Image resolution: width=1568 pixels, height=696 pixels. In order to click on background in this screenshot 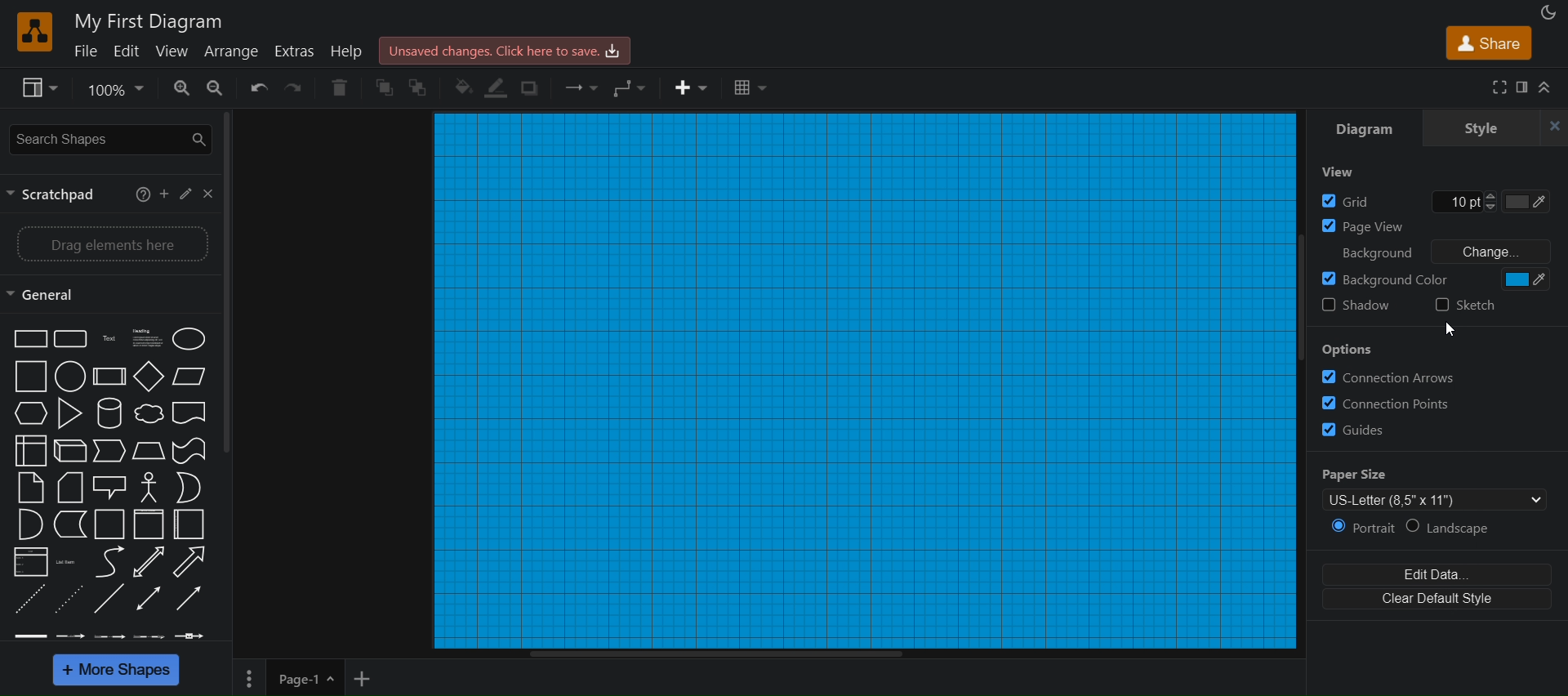, I will do `click(1430, 279)`.